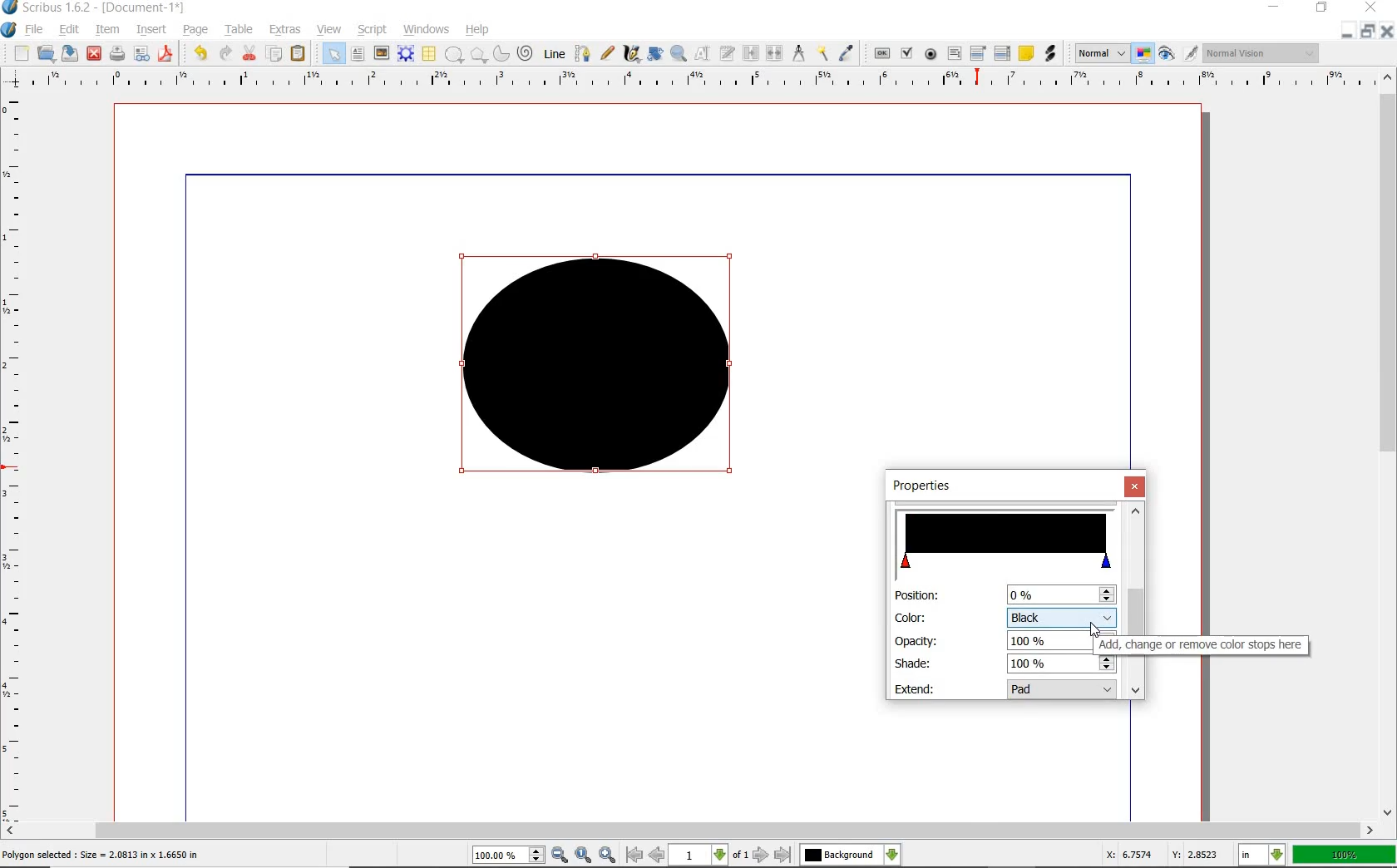  Describe the element at coordinates (1136, 510) in the screenshot. I see `scroll up` at that location.